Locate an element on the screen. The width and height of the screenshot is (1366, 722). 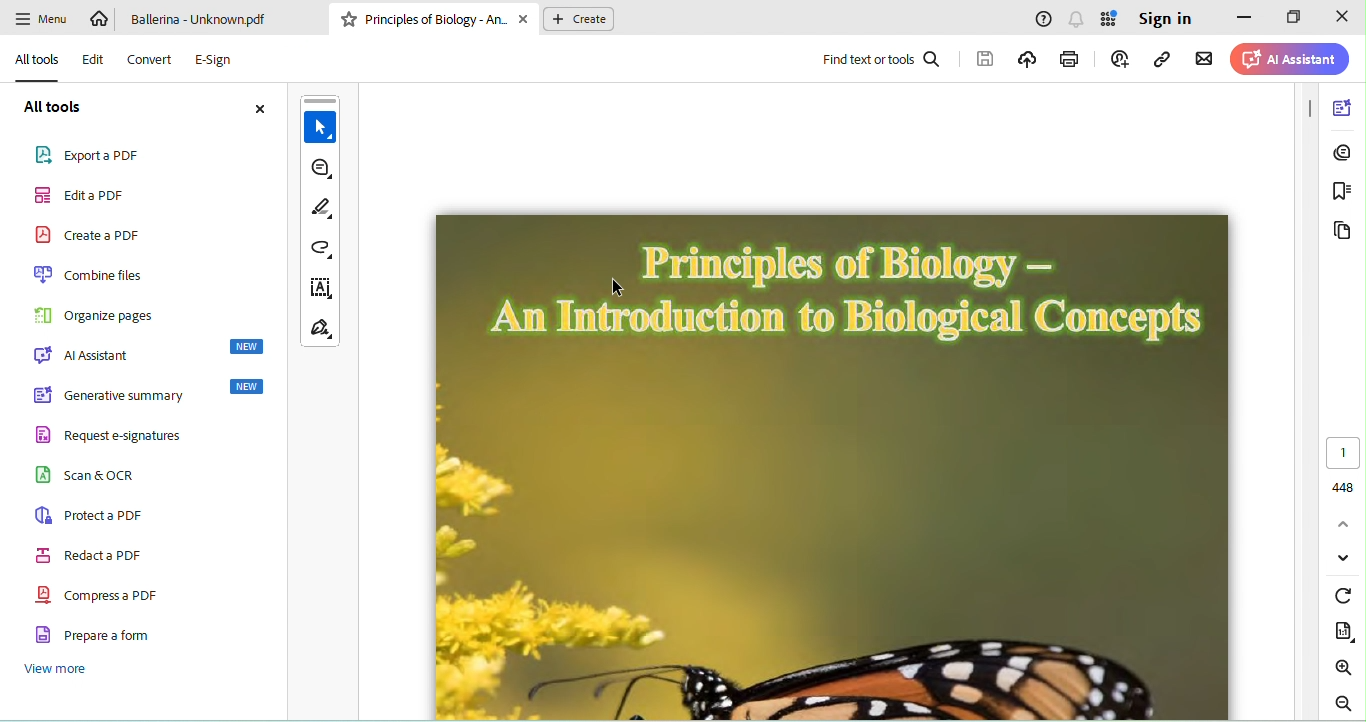
ai assistant     NEW is located at coordinates (152, 352).